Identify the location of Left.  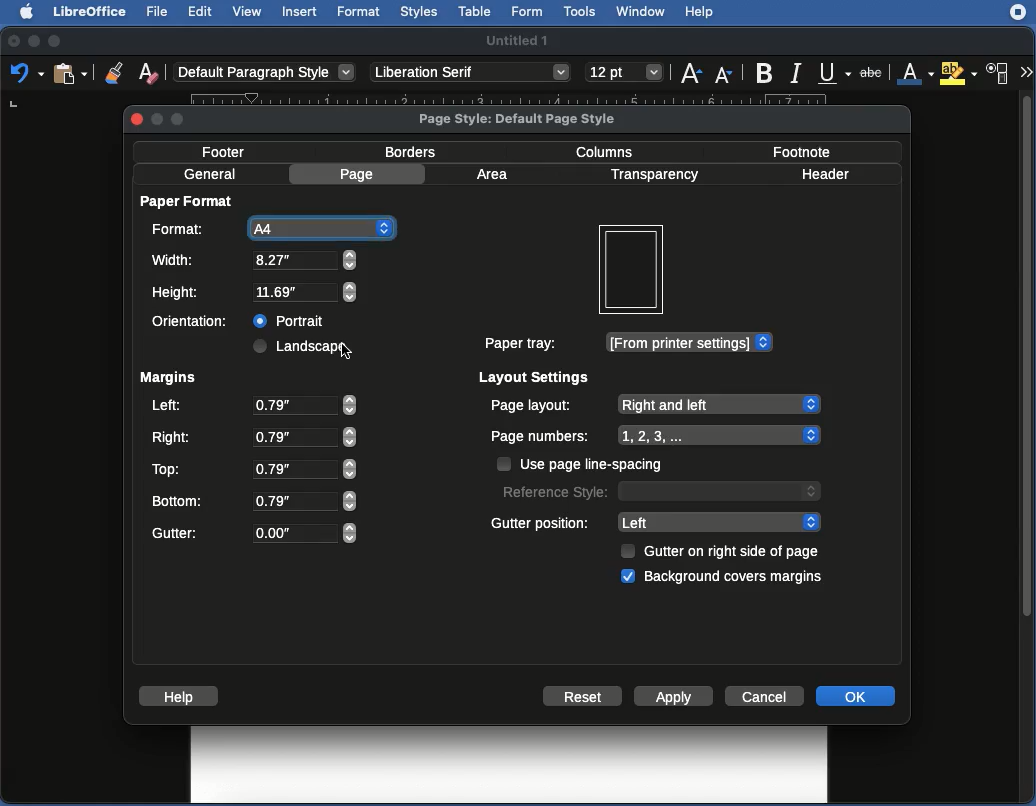
(718, 523).